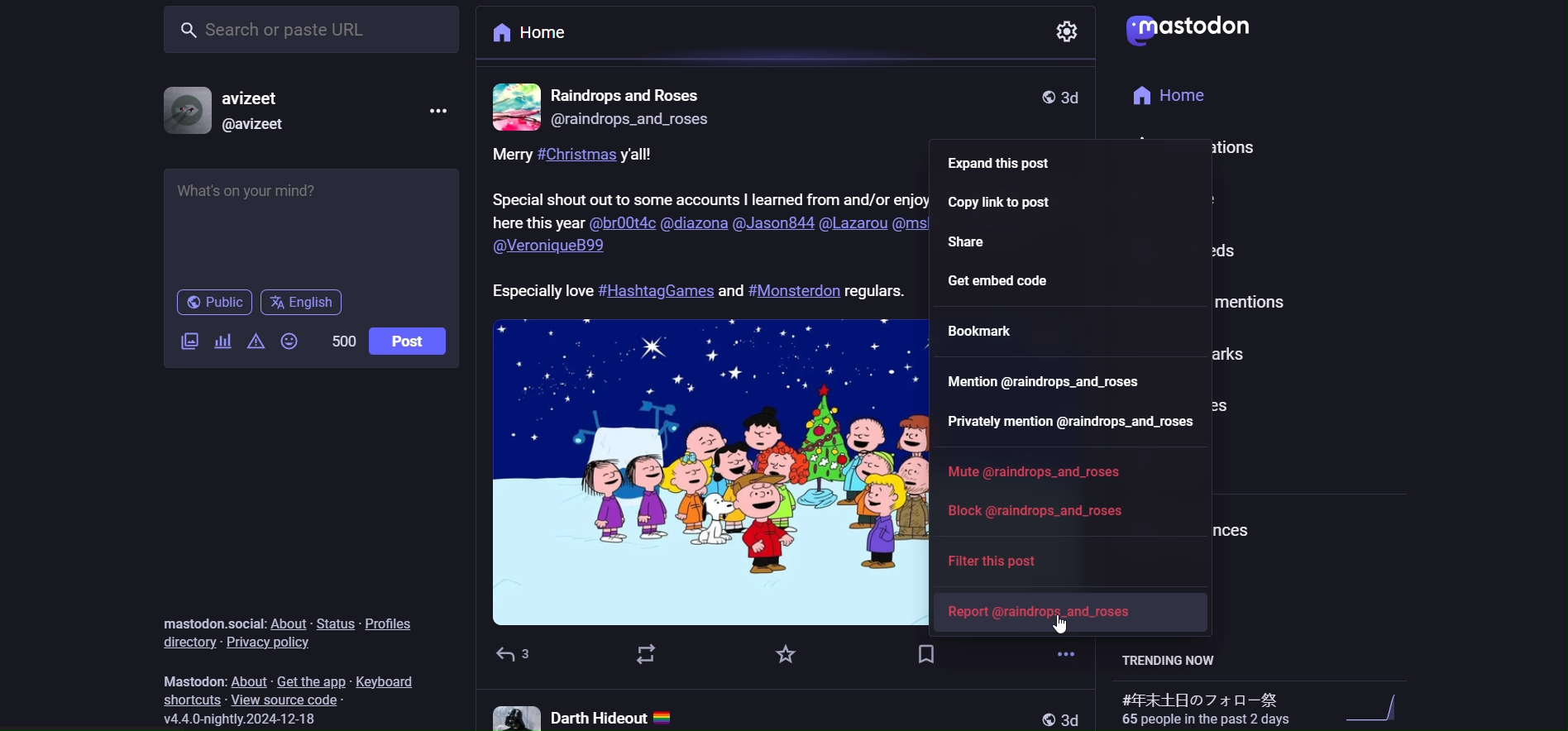  What do you see at coordinates (1013, 201) in the screenshot?
I see `copy link to post` at bounding box center [1013, 201].